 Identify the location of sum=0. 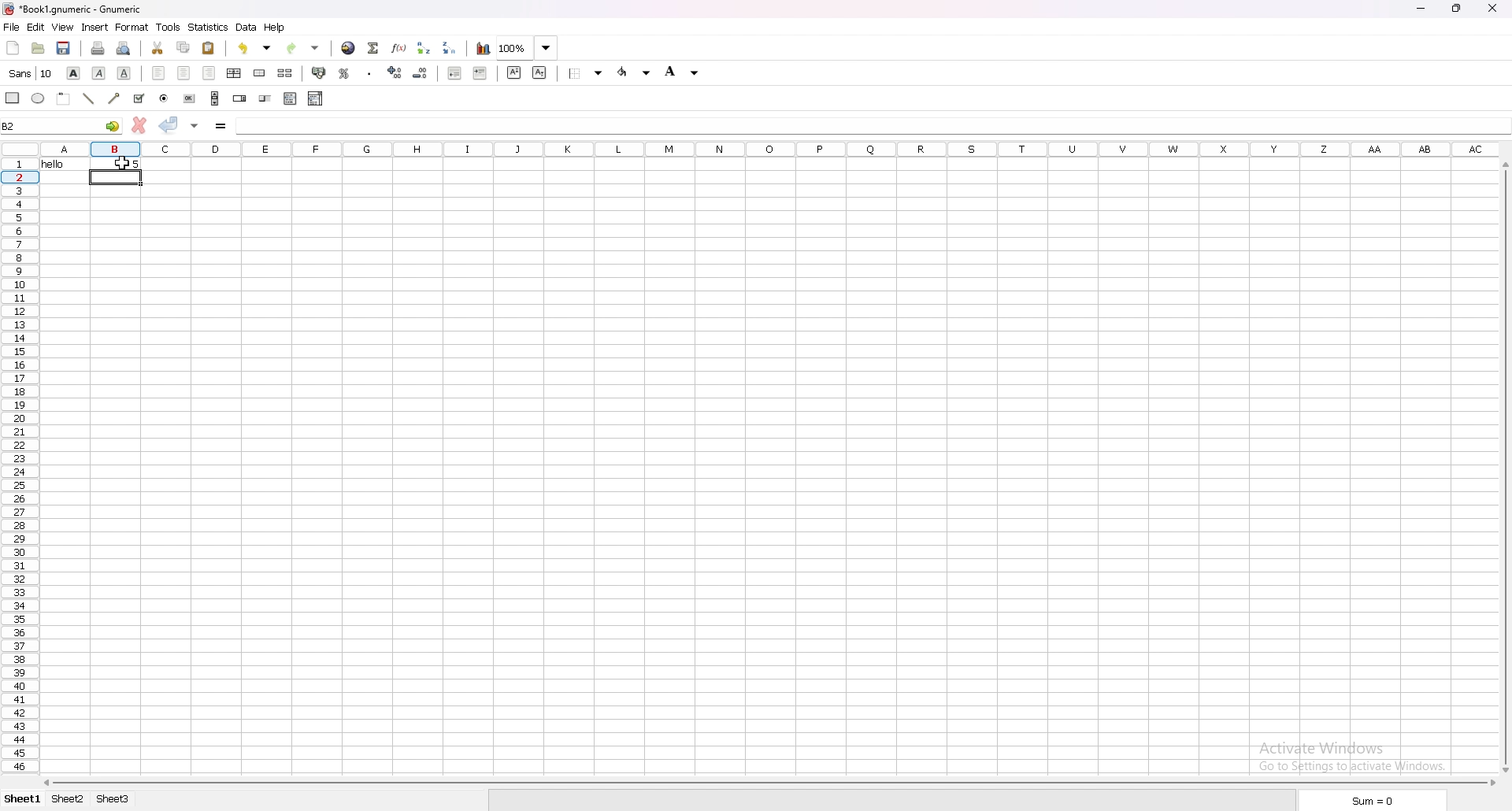
(1370, 802).